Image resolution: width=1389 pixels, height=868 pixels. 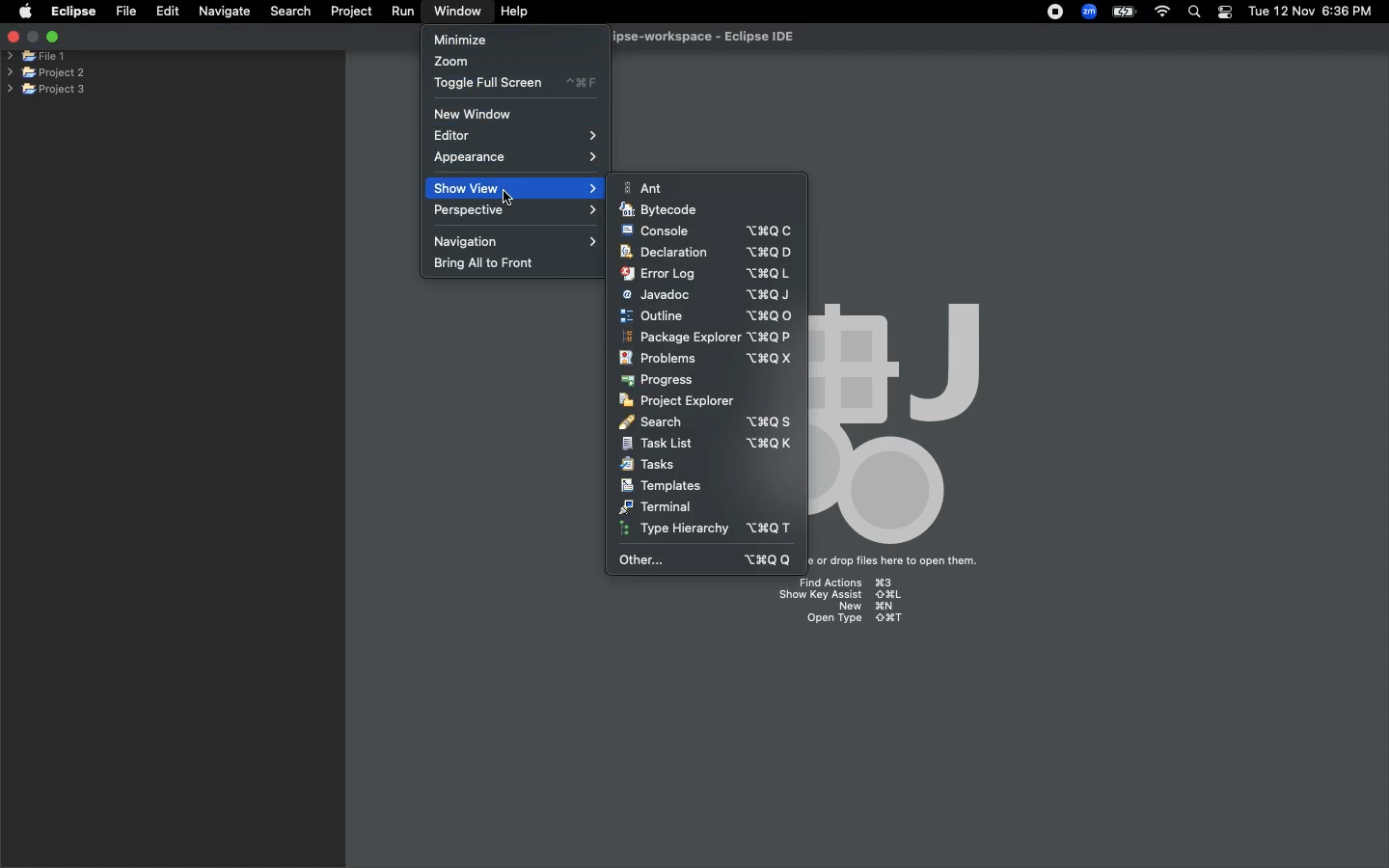 I want to click on Minimize, so click(x=52, y=36).